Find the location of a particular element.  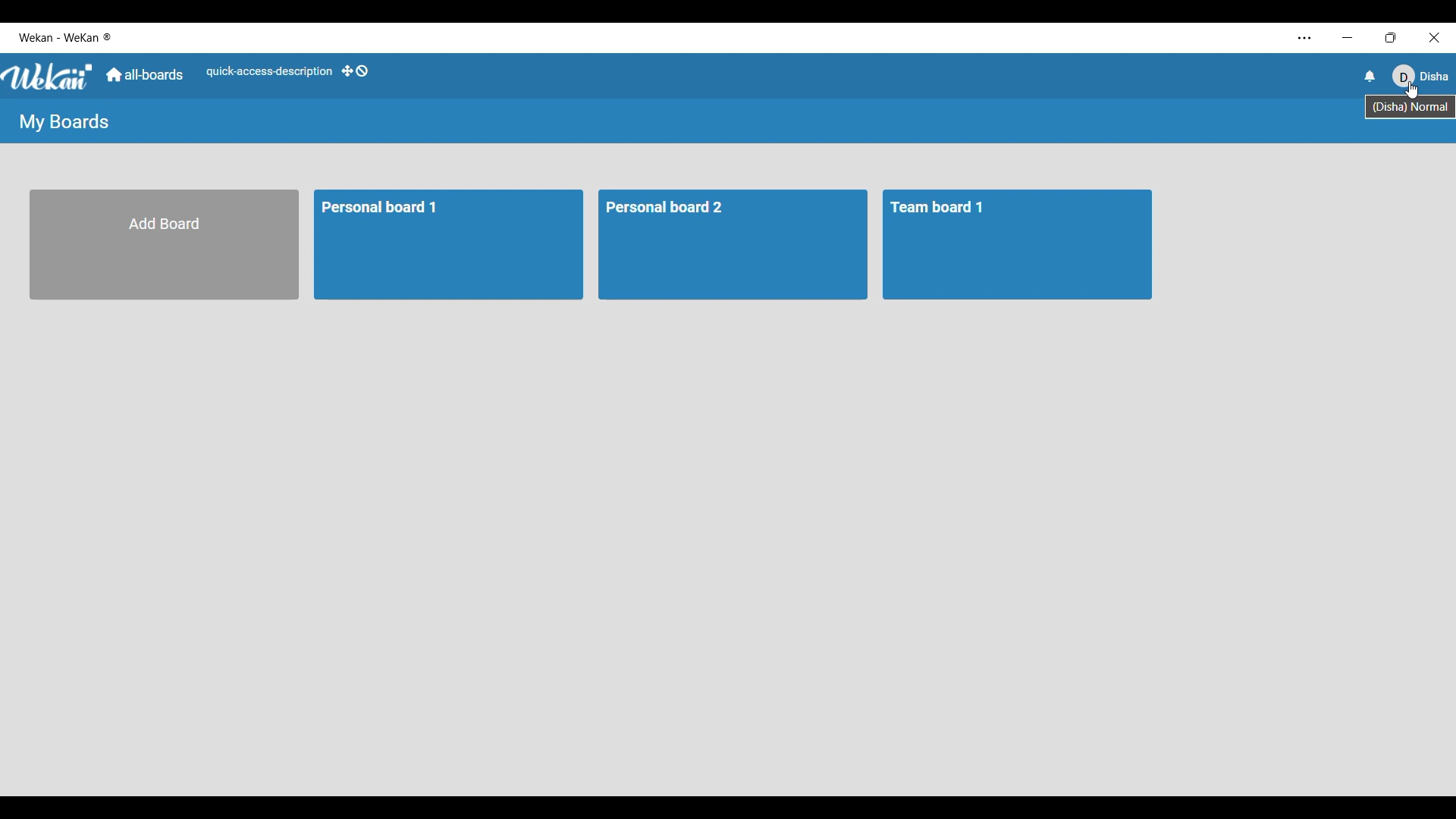

(Disha) Normal is located at coordinates (1410, 108).